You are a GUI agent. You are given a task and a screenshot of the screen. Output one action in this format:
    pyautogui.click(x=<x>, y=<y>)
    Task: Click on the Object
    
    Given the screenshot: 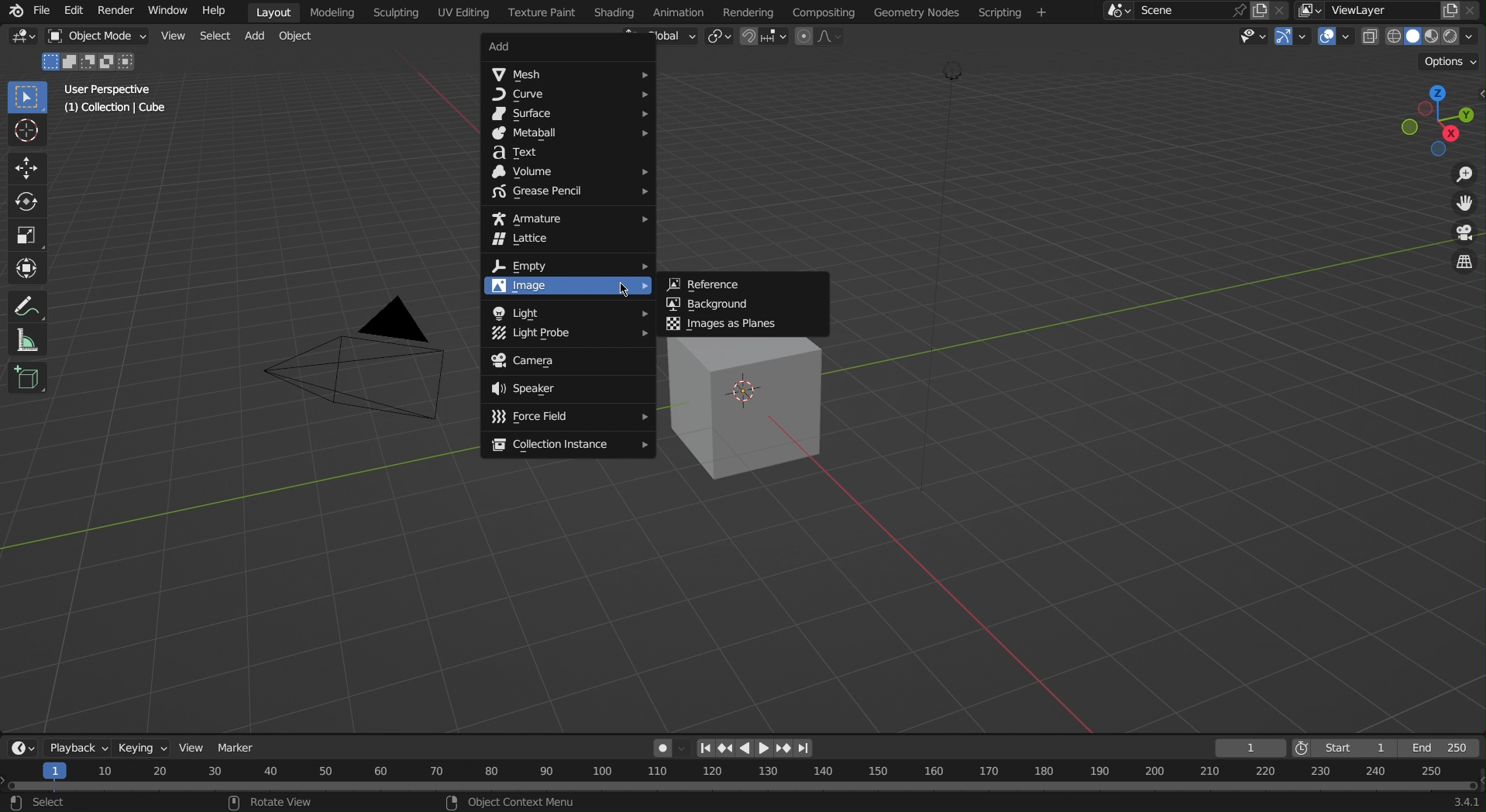 What is the action you would take?
    pyautogui.click(x=297, y=40)
    